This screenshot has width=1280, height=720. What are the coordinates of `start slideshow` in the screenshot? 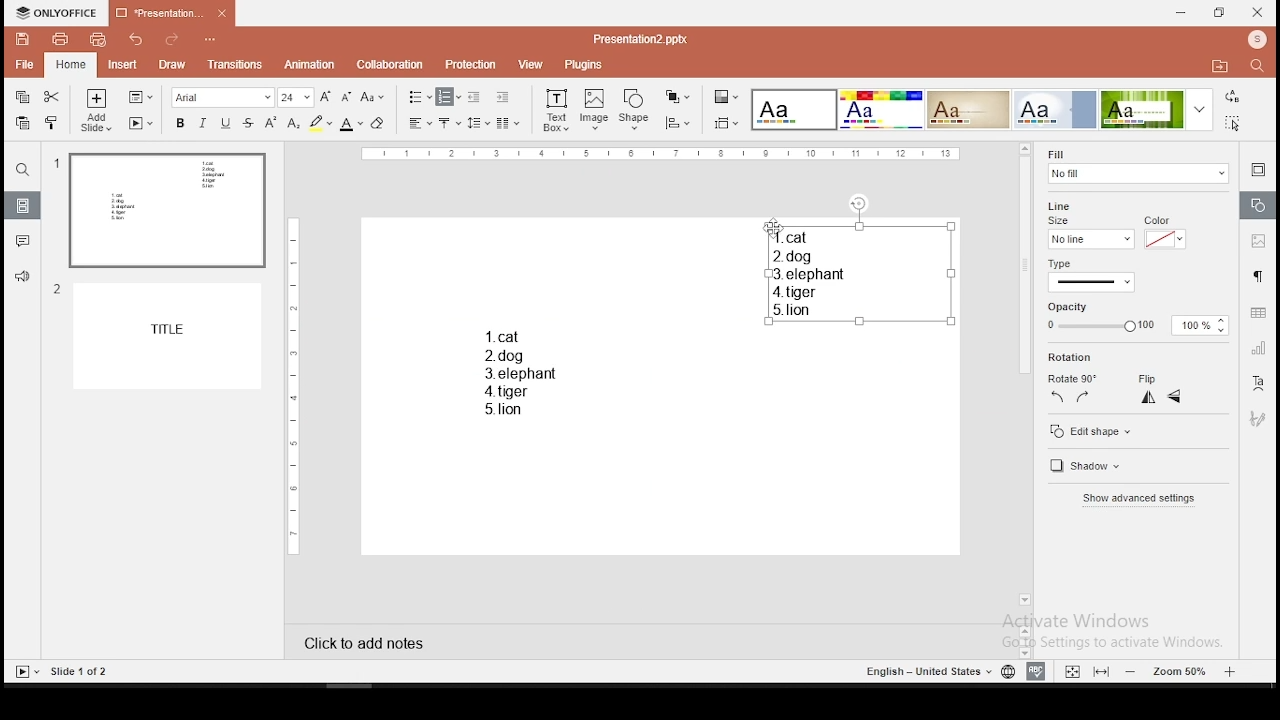 It's located at (141, 123).